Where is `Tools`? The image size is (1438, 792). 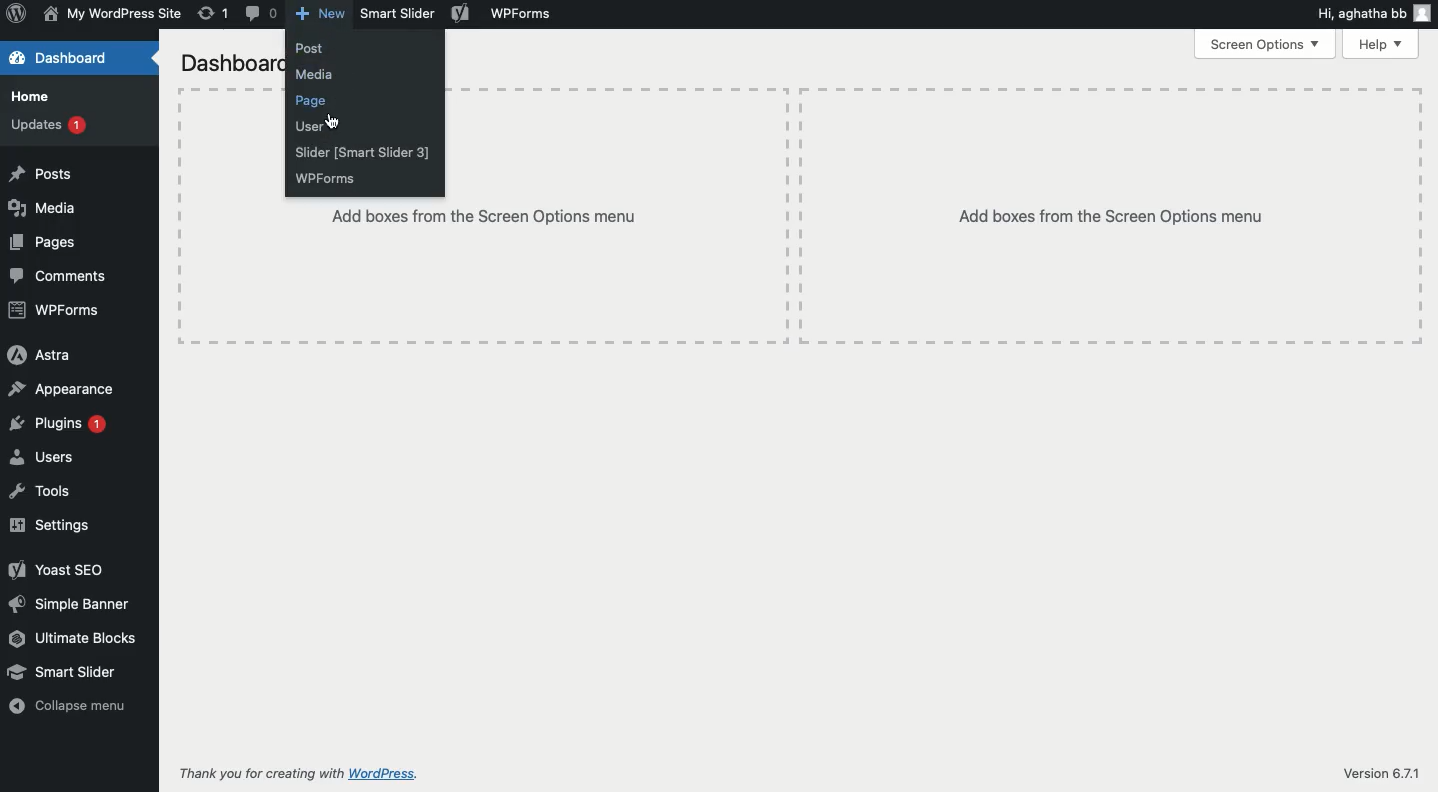 Tools is located at coordinates (41, 491).